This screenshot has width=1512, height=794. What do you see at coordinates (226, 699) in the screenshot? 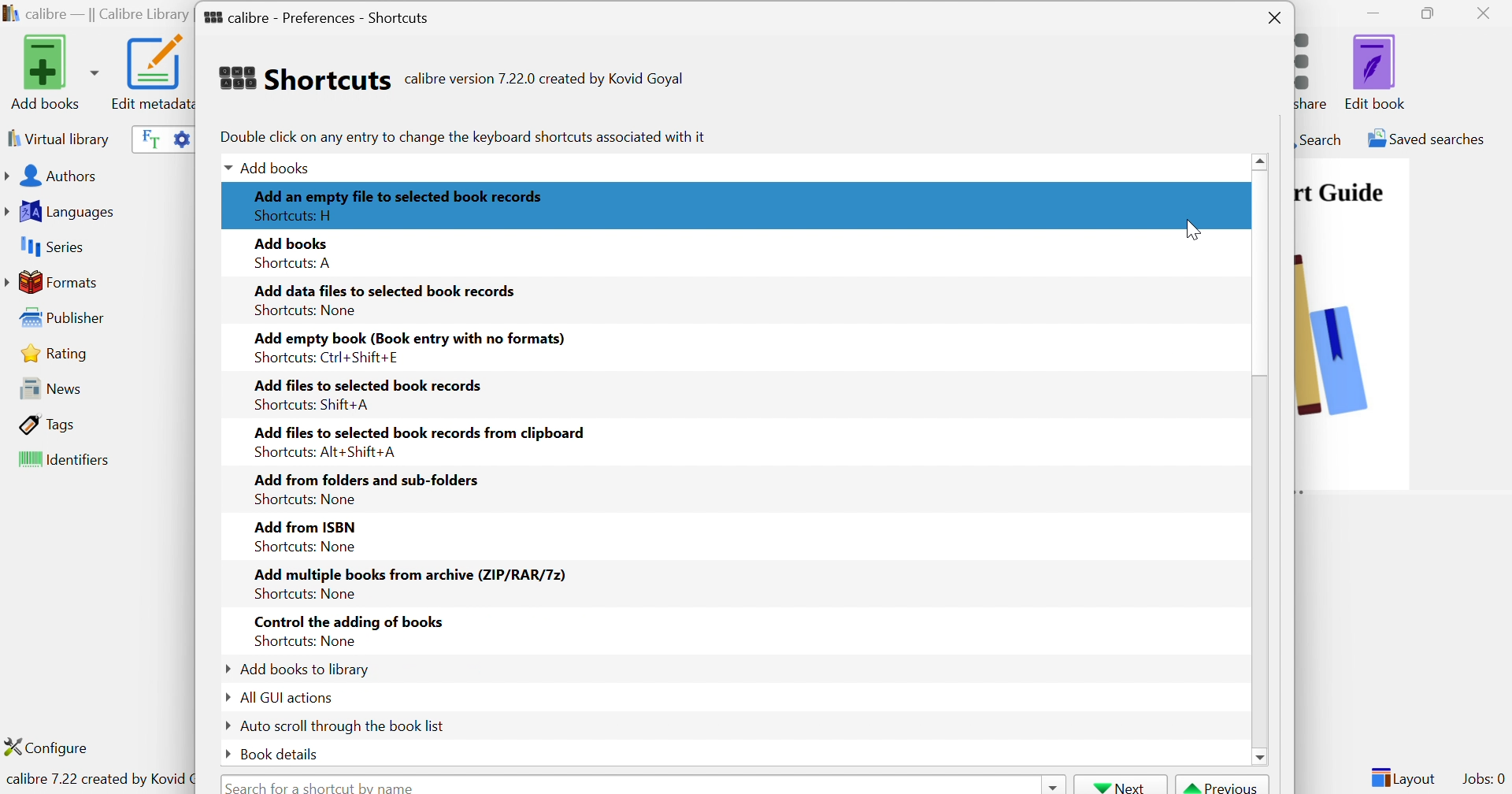
I see `Drop Down` at bounding box center [226, 699].